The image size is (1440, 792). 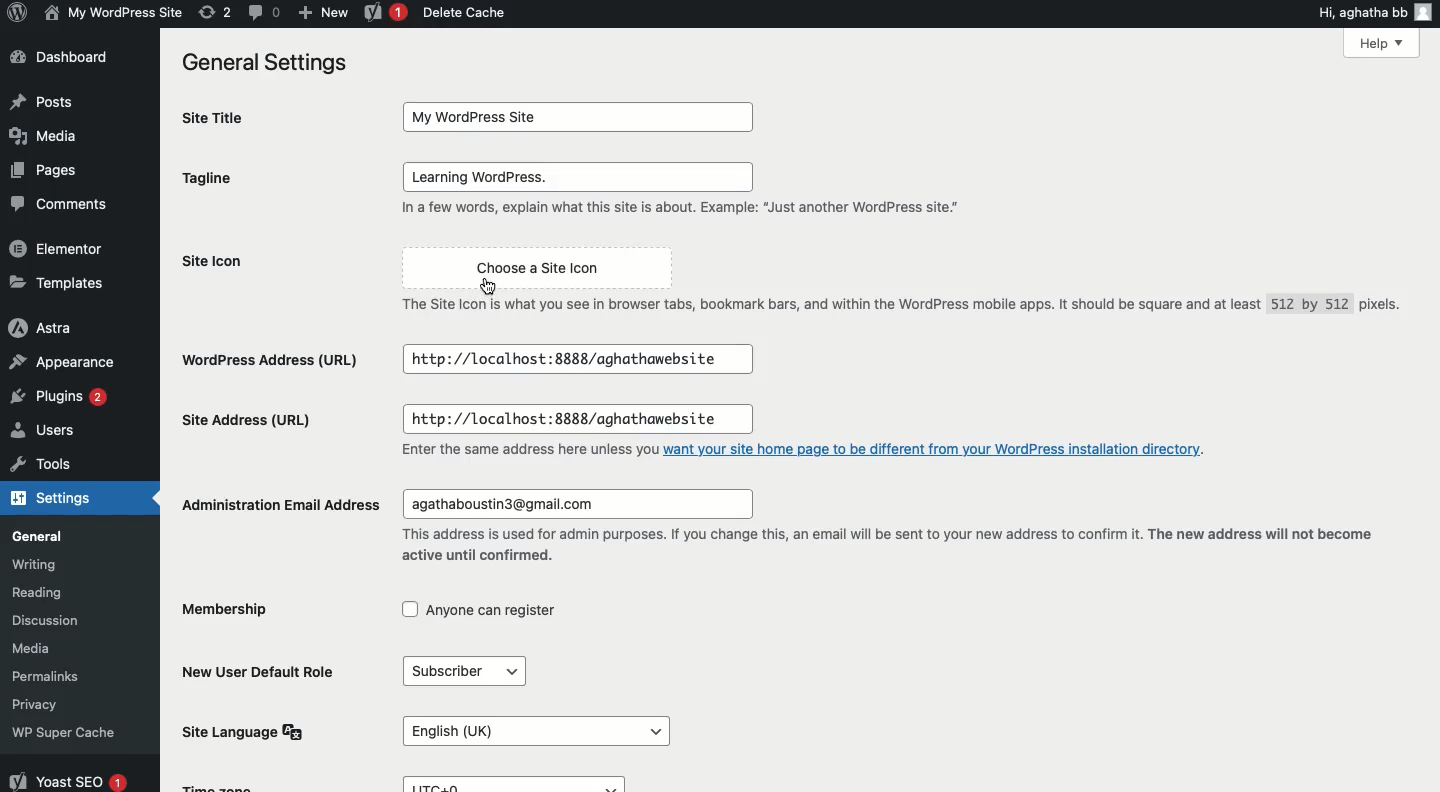 I want to click on Anyone can register, so click(x=481, y=610).